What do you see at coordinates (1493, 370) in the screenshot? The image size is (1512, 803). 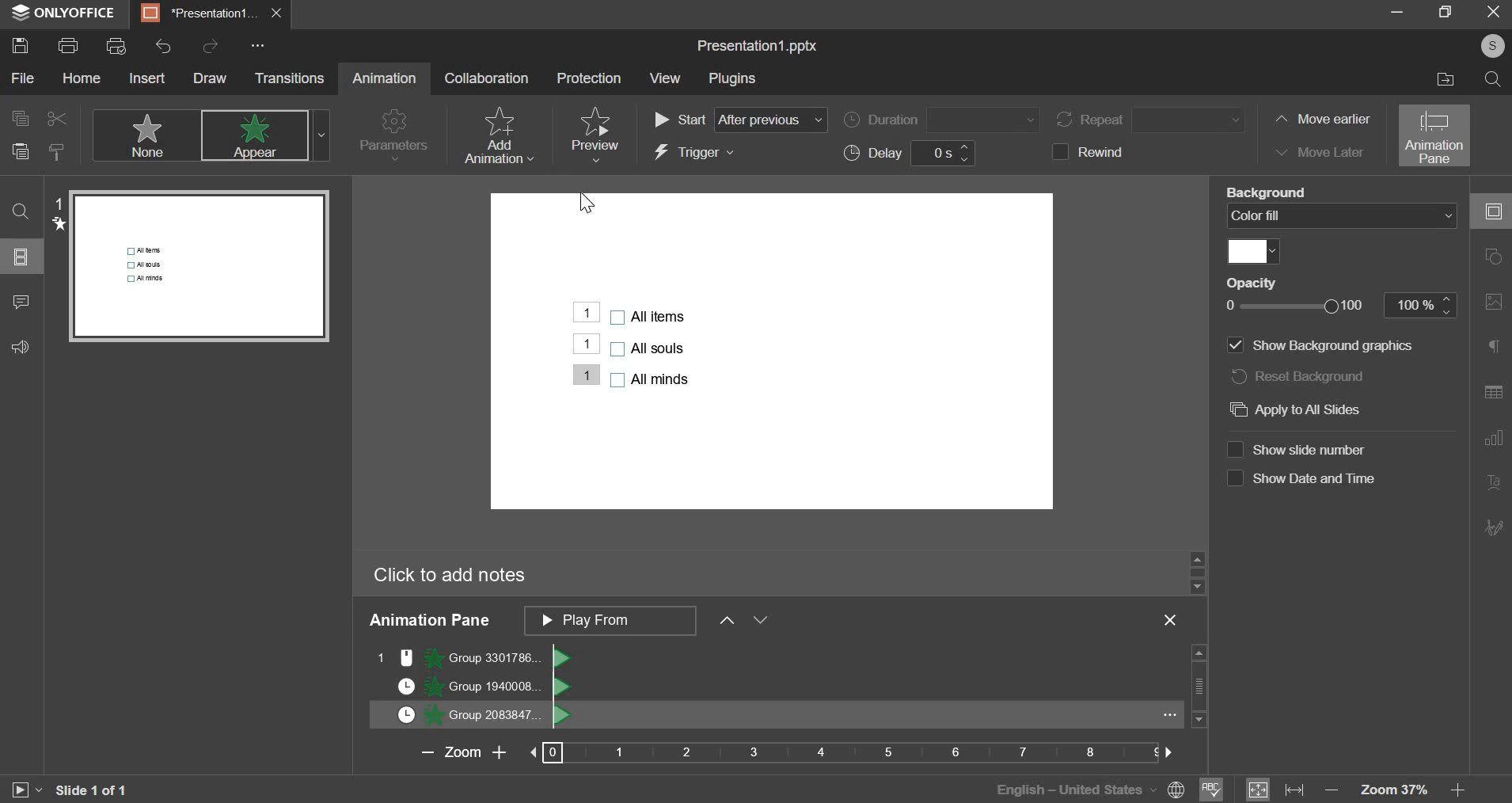 I see `right side bar` at bounding box center [1493, 370].